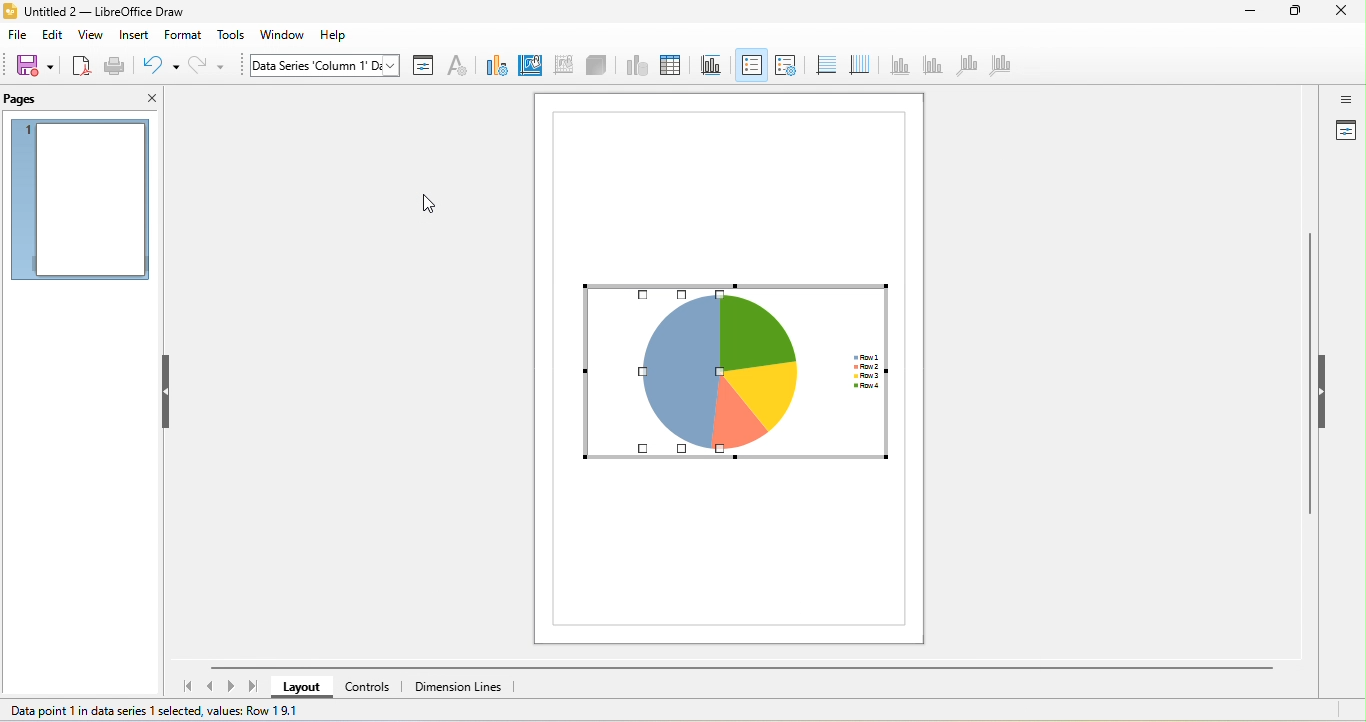 This screenshot has width=1366, height=722. Describe the element at coordinates (288, 35) in the screenshot. I see `window` at that location.